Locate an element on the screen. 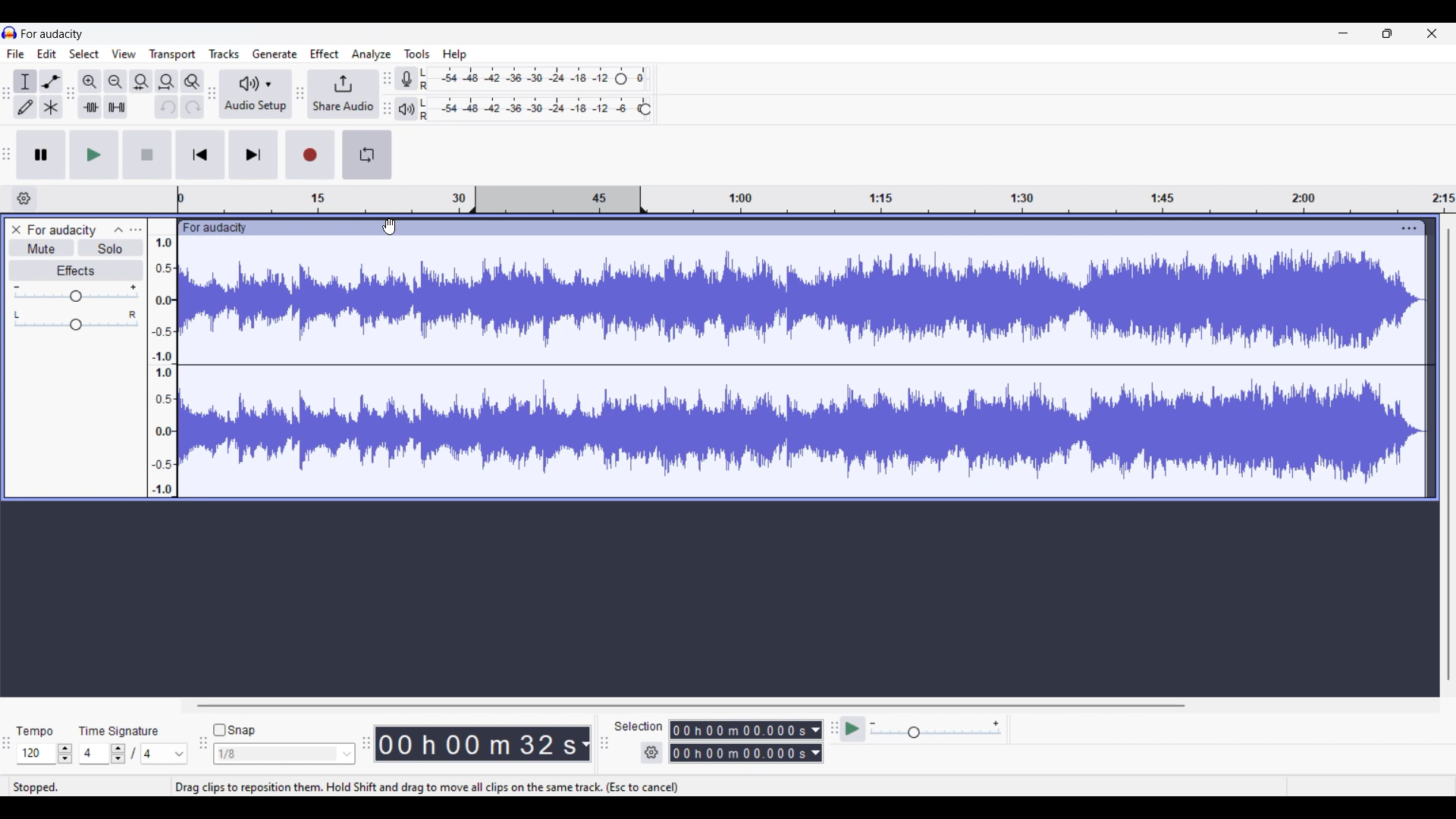 The height and width of the screenshot is (819, 1456). Share audio is located at coordinates (343, 94).